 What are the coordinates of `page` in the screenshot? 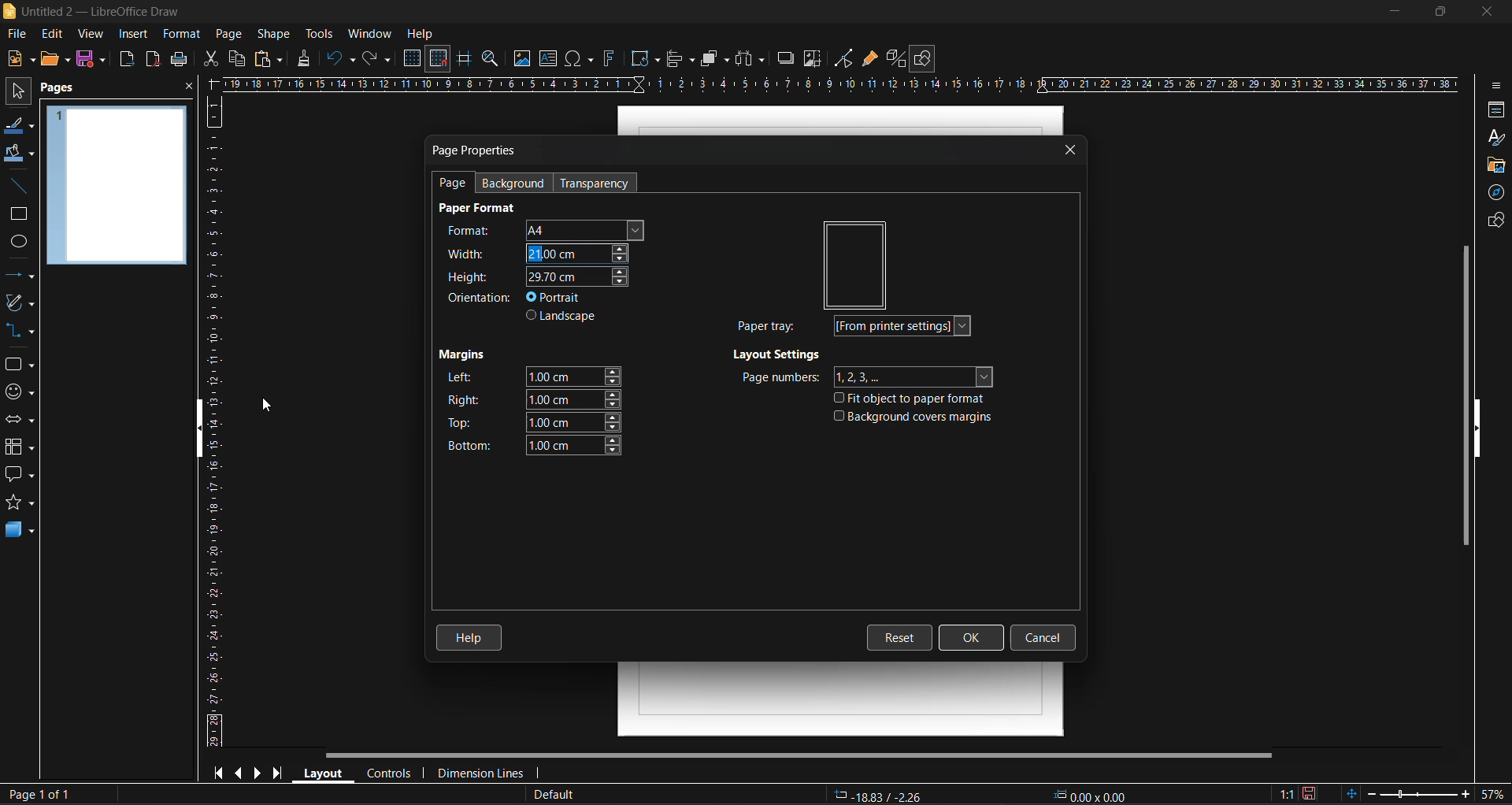 It's located at (454, 184).